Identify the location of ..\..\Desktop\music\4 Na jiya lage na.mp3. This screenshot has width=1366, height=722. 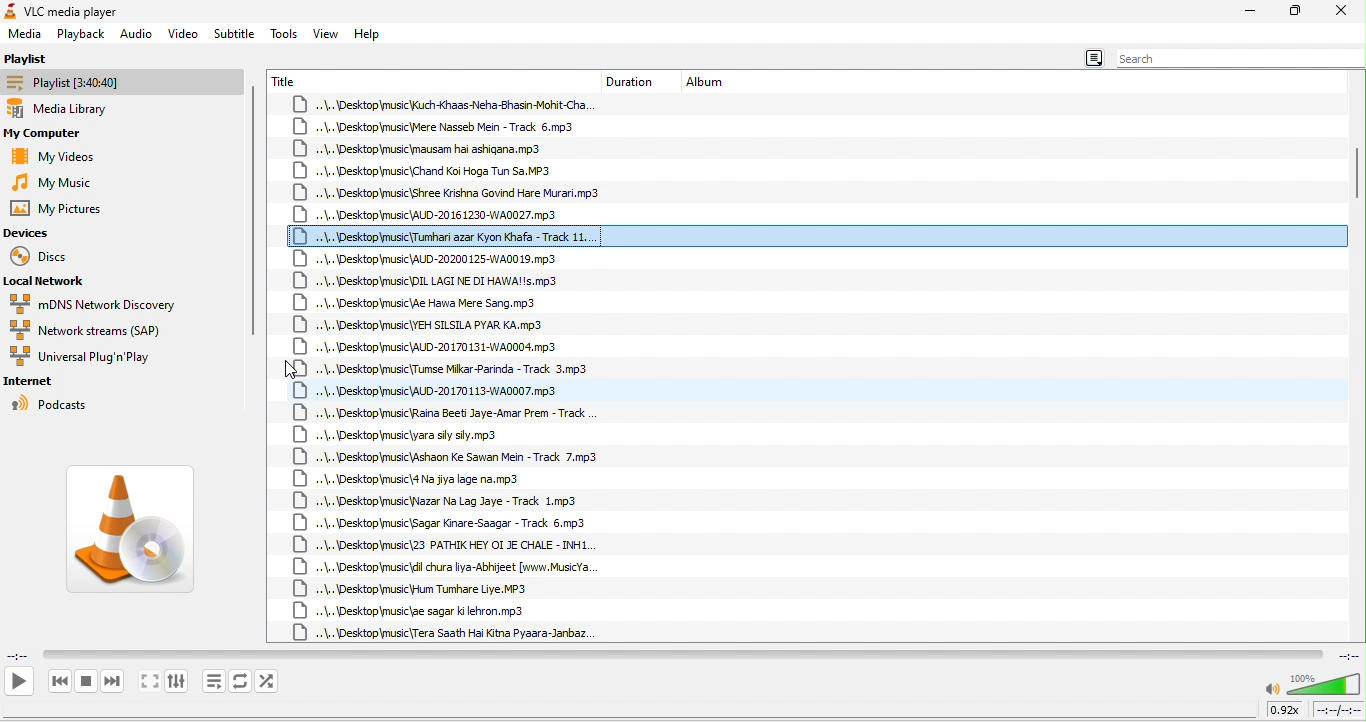
(408, 479).